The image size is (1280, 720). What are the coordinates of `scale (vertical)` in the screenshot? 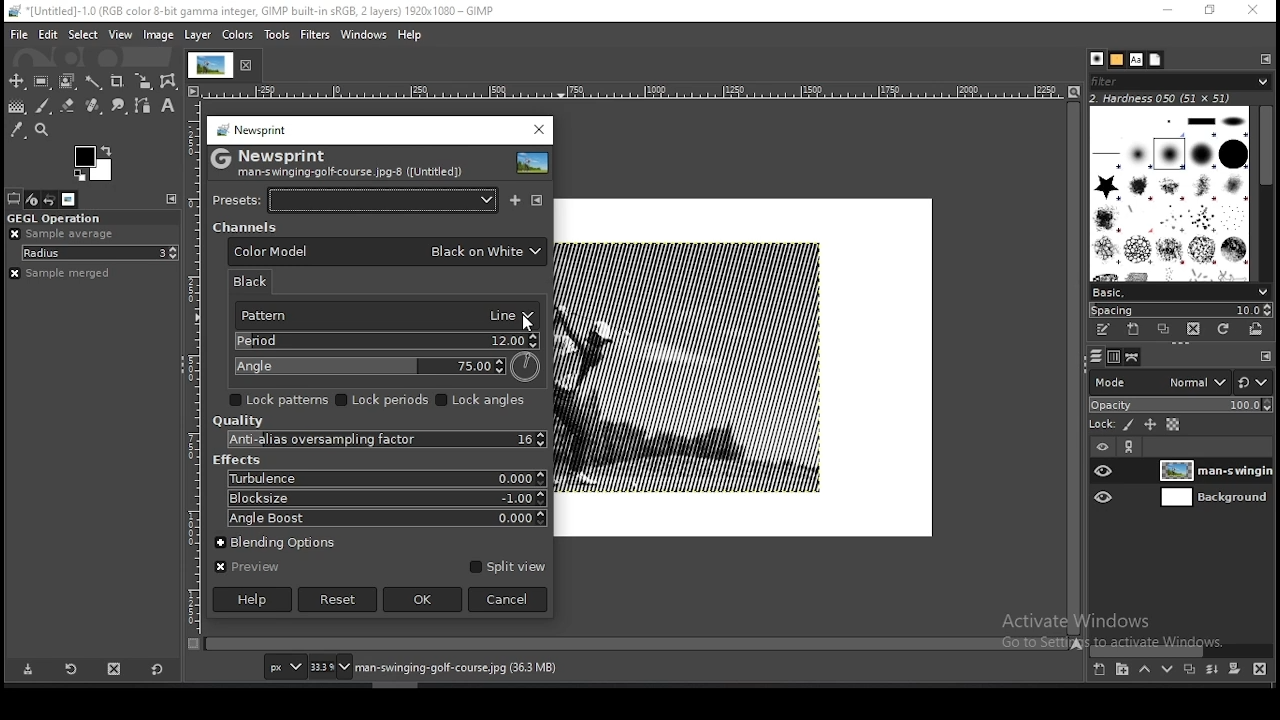 It's located at (195, 367).